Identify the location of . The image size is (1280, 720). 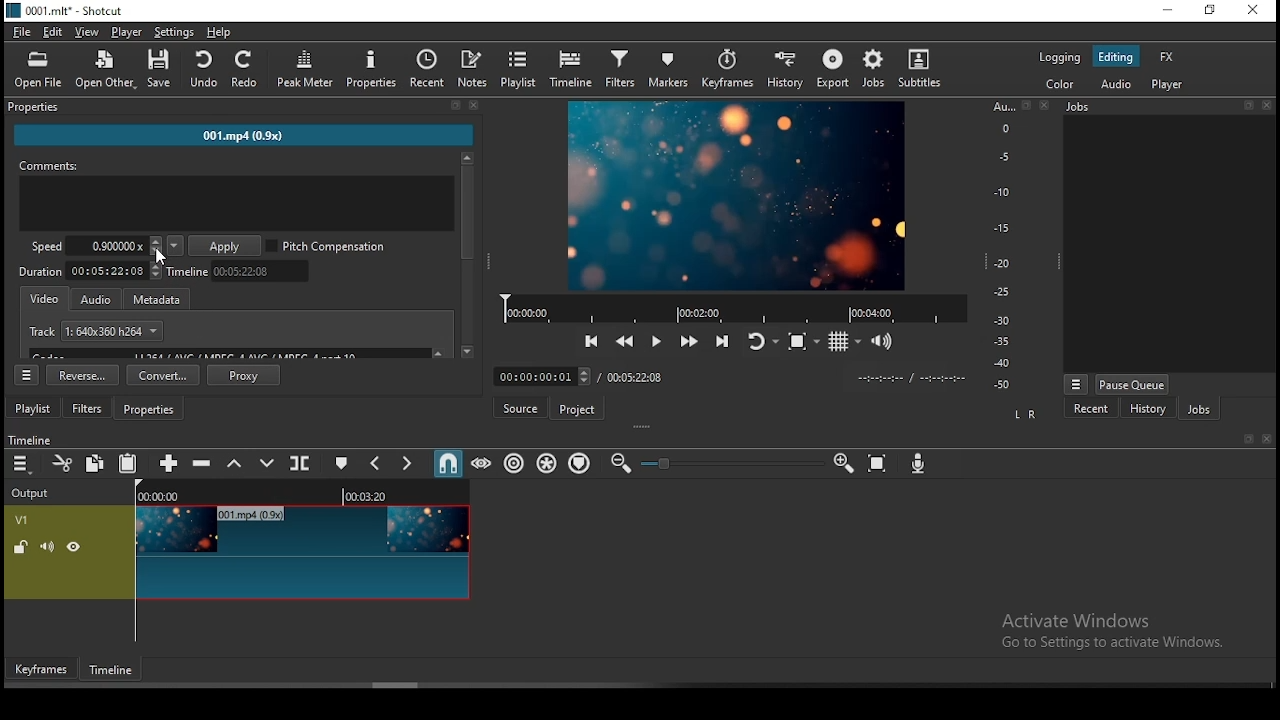
(655, 339).